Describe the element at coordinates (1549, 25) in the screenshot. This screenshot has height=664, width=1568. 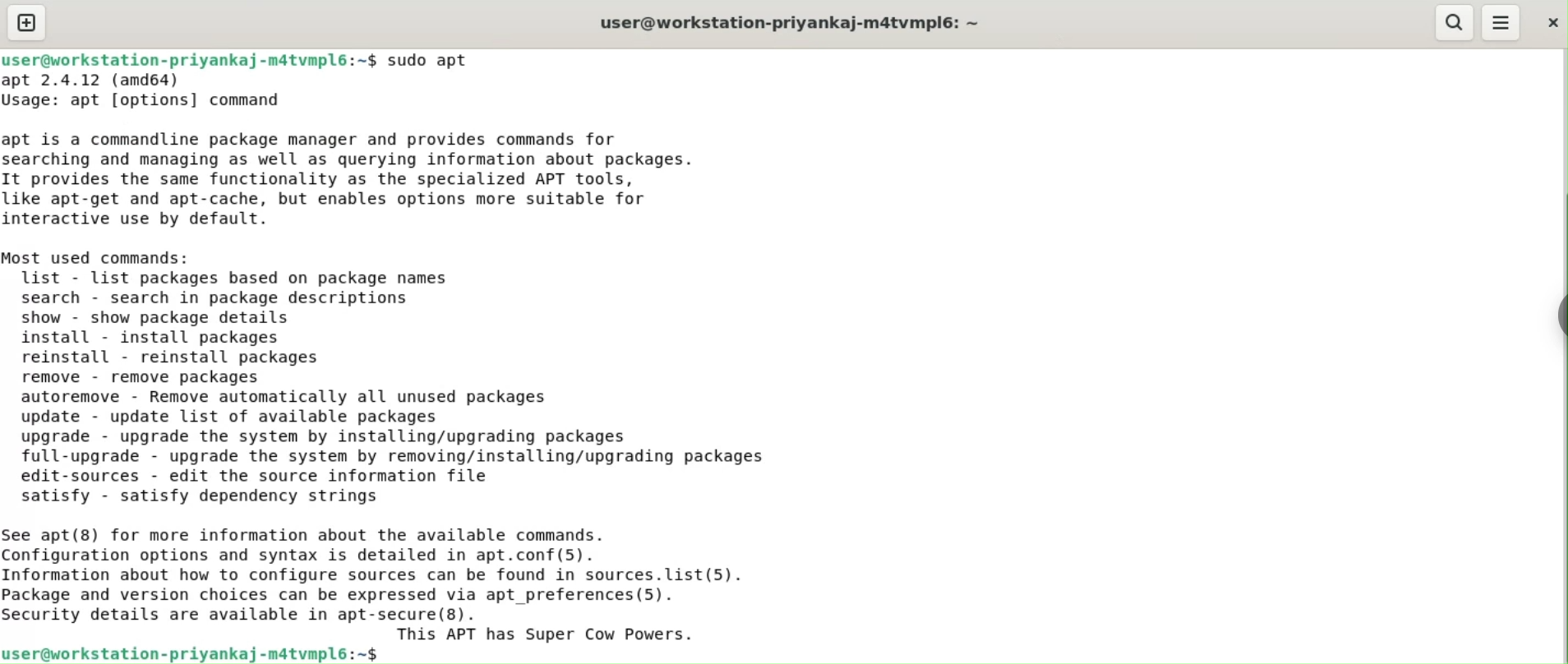
I see `close` at that location.